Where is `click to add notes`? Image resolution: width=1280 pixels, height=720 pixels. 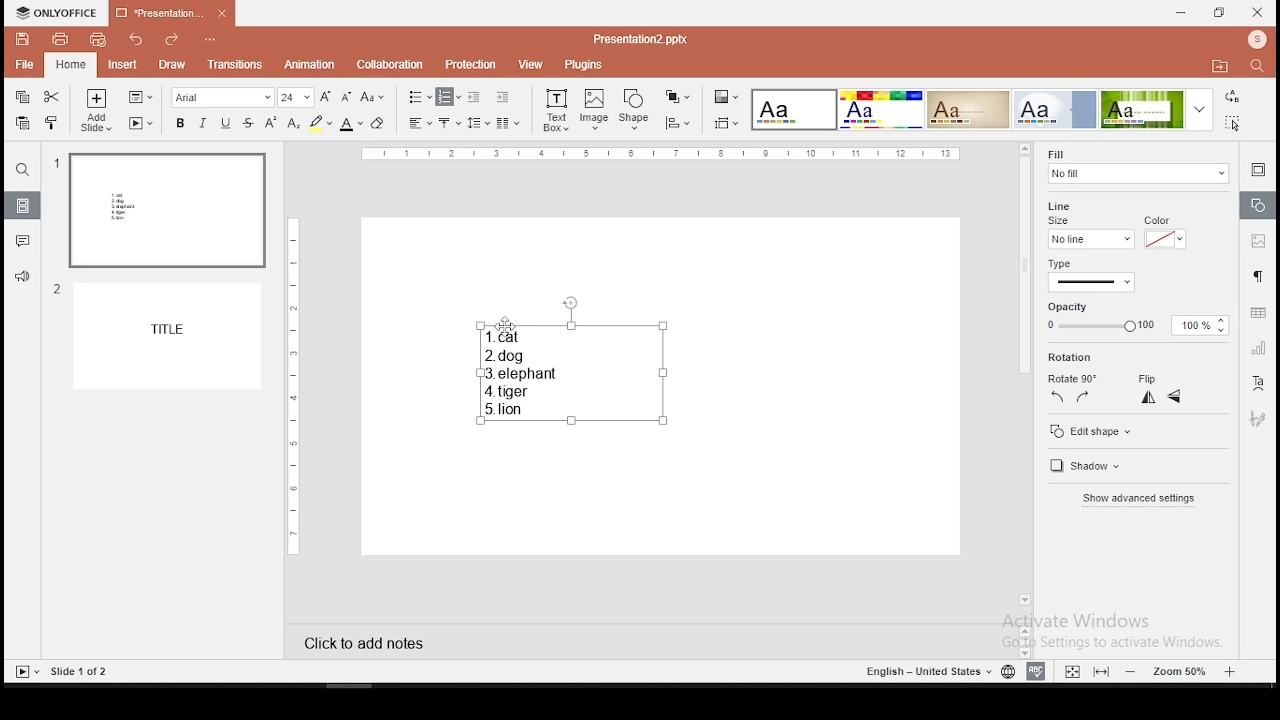 click to add notes is located at coordinates (358, 643).